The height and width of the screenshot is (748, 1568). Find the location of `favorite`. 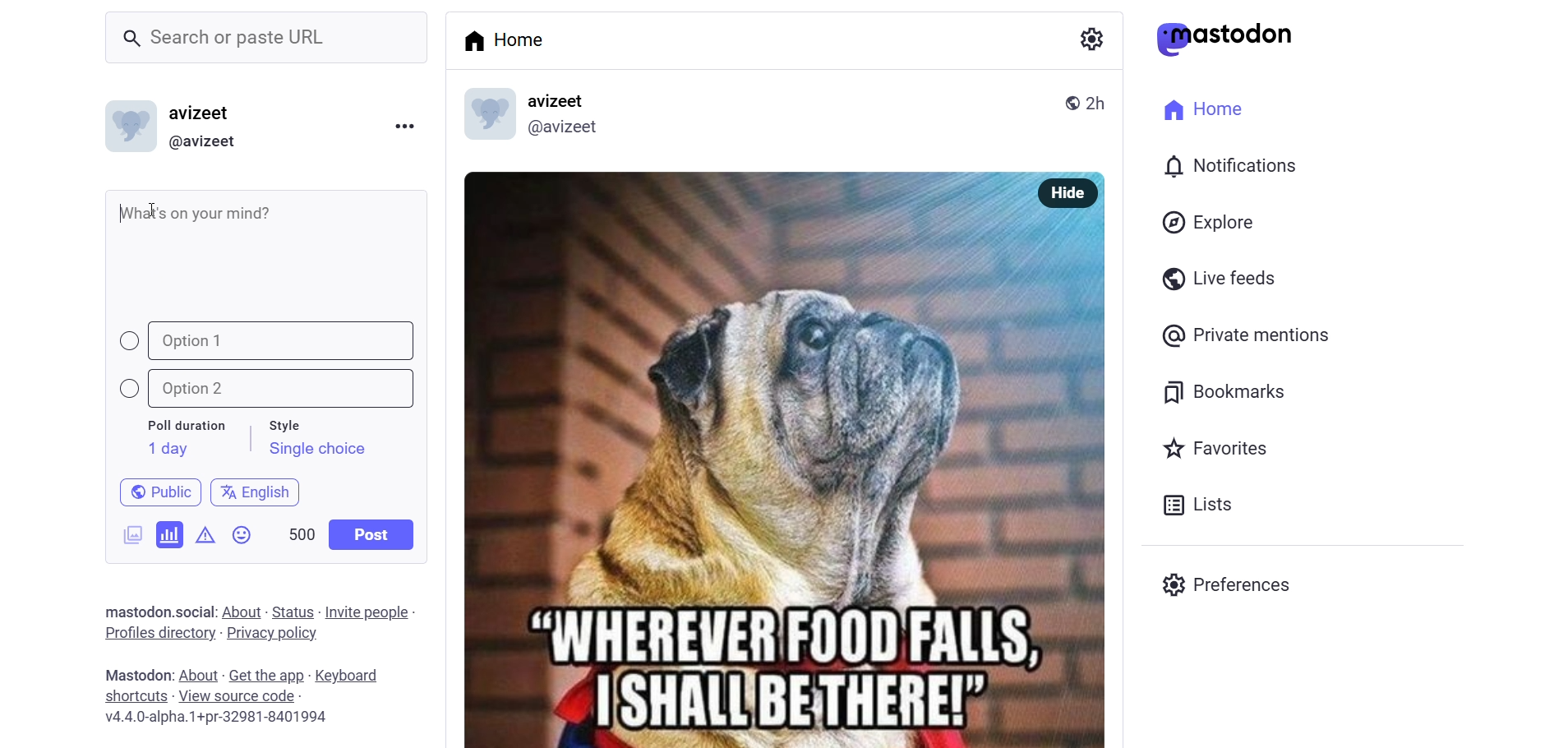

favorite is located at coordinates (1213, 450).